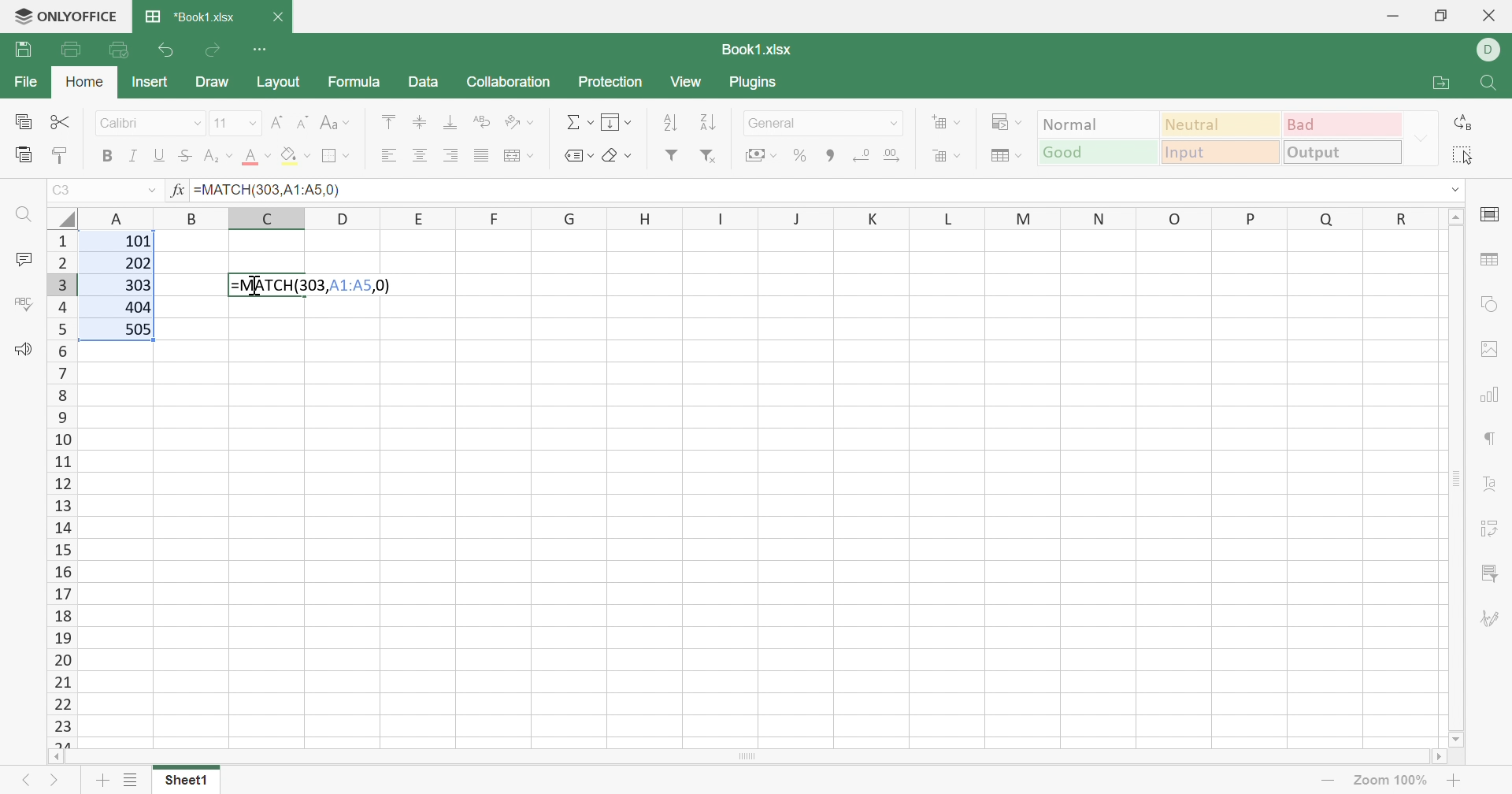 This screenshot has height=794, width=1512. Describe the element at coordinates (1097, 123) in the screenshot. I see `Normal` at that location.